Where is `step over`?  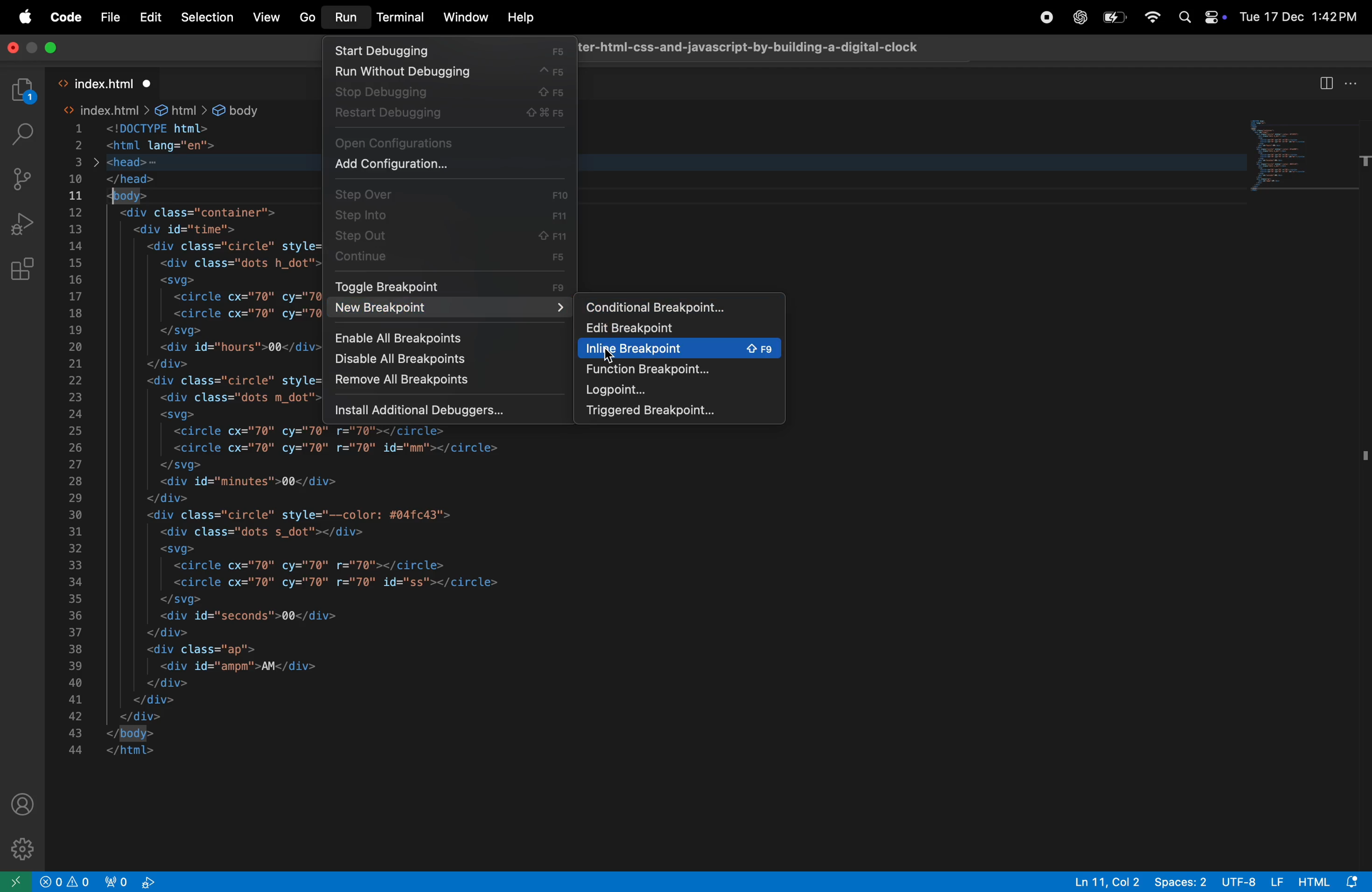
step over is located at coordinates (453, 192).